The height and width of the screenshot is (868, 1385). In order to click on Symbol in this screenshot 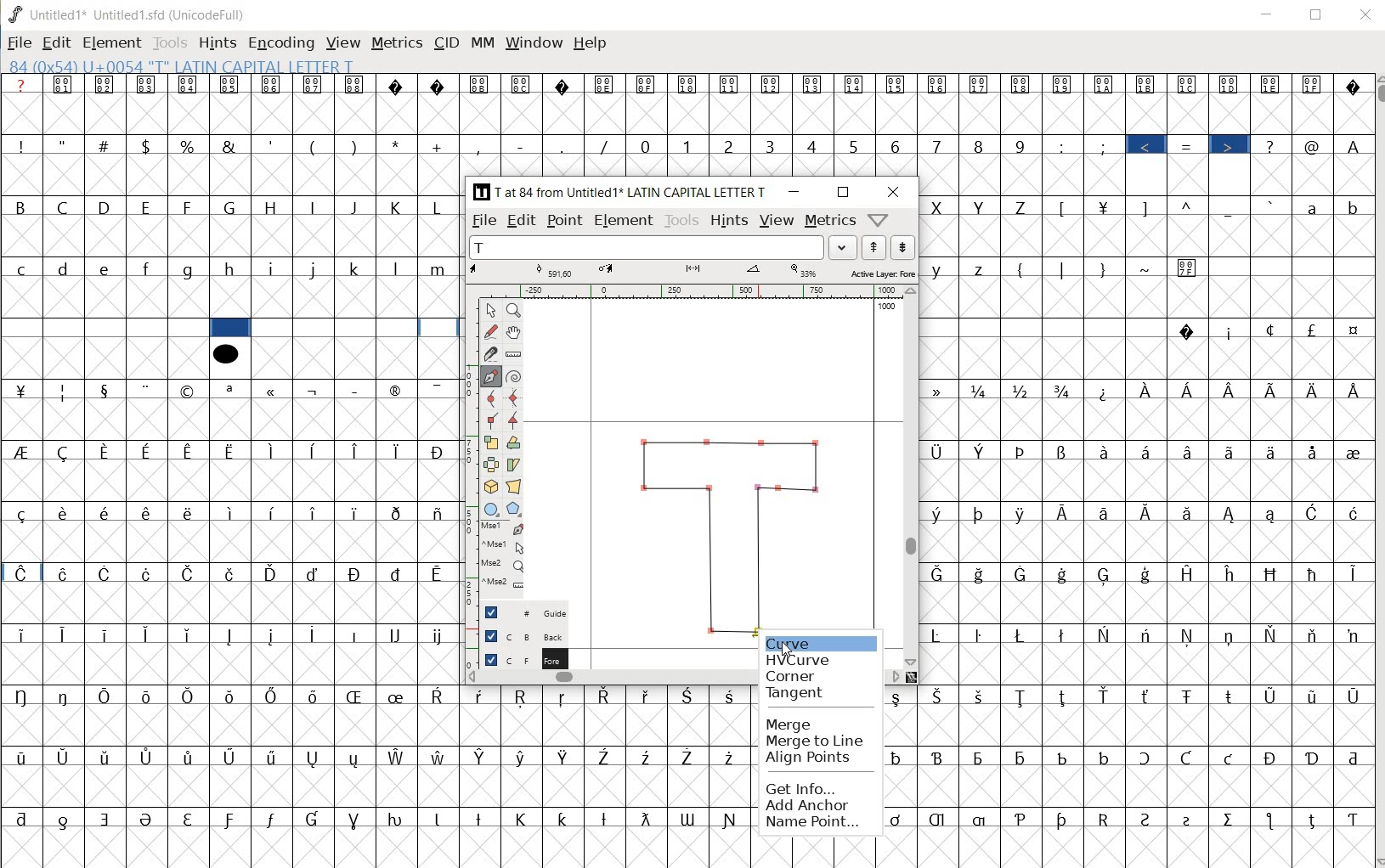, I will do `click(1063, 84)`.